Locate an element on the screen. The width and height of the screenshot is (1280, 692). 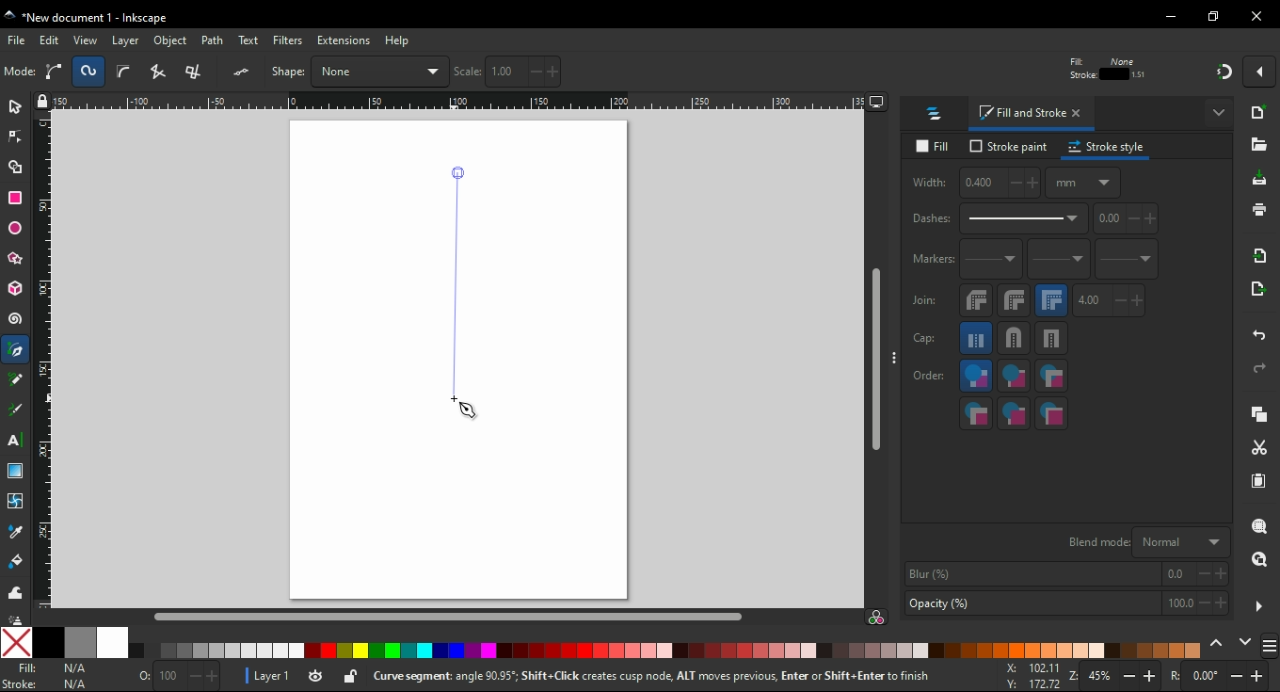
rasie to top is located at coordinates (328, 71).